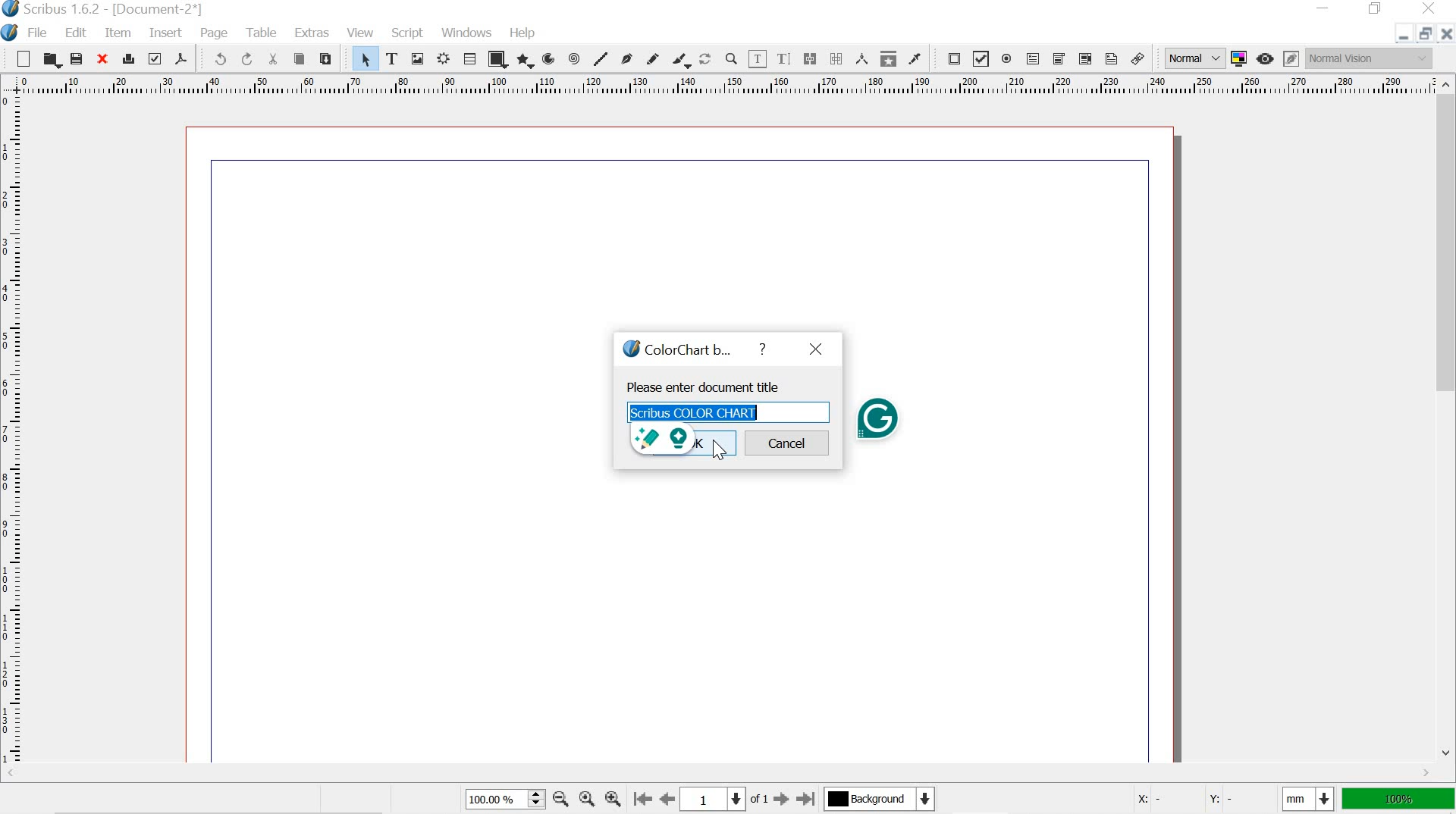 This screenshot has width=1456, height=814. I want to click on toggle color management system, so click(1241, 58).